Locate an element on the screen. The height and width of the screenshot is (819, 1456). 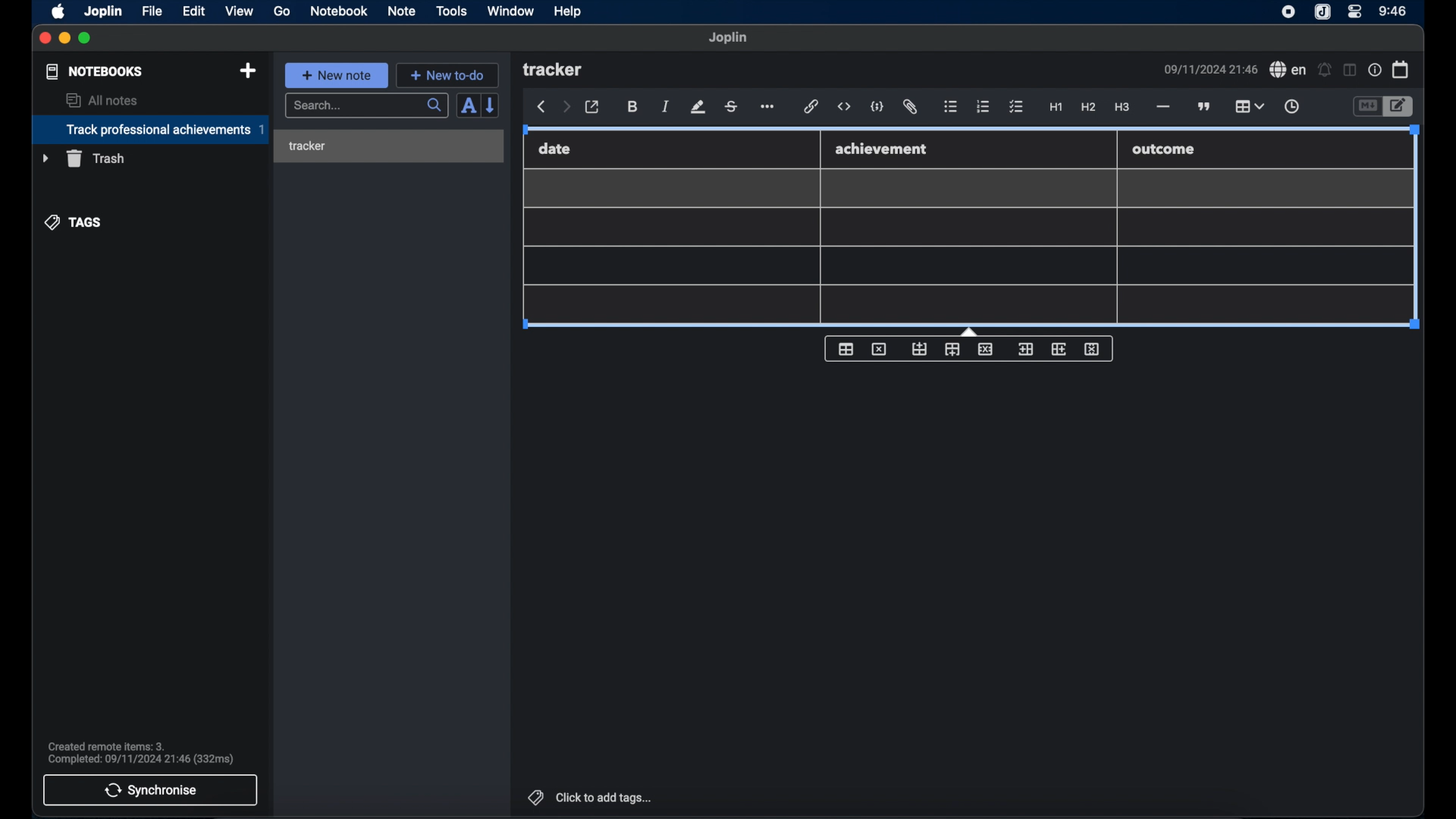
hyperlink is located at coordinates (811, 107).